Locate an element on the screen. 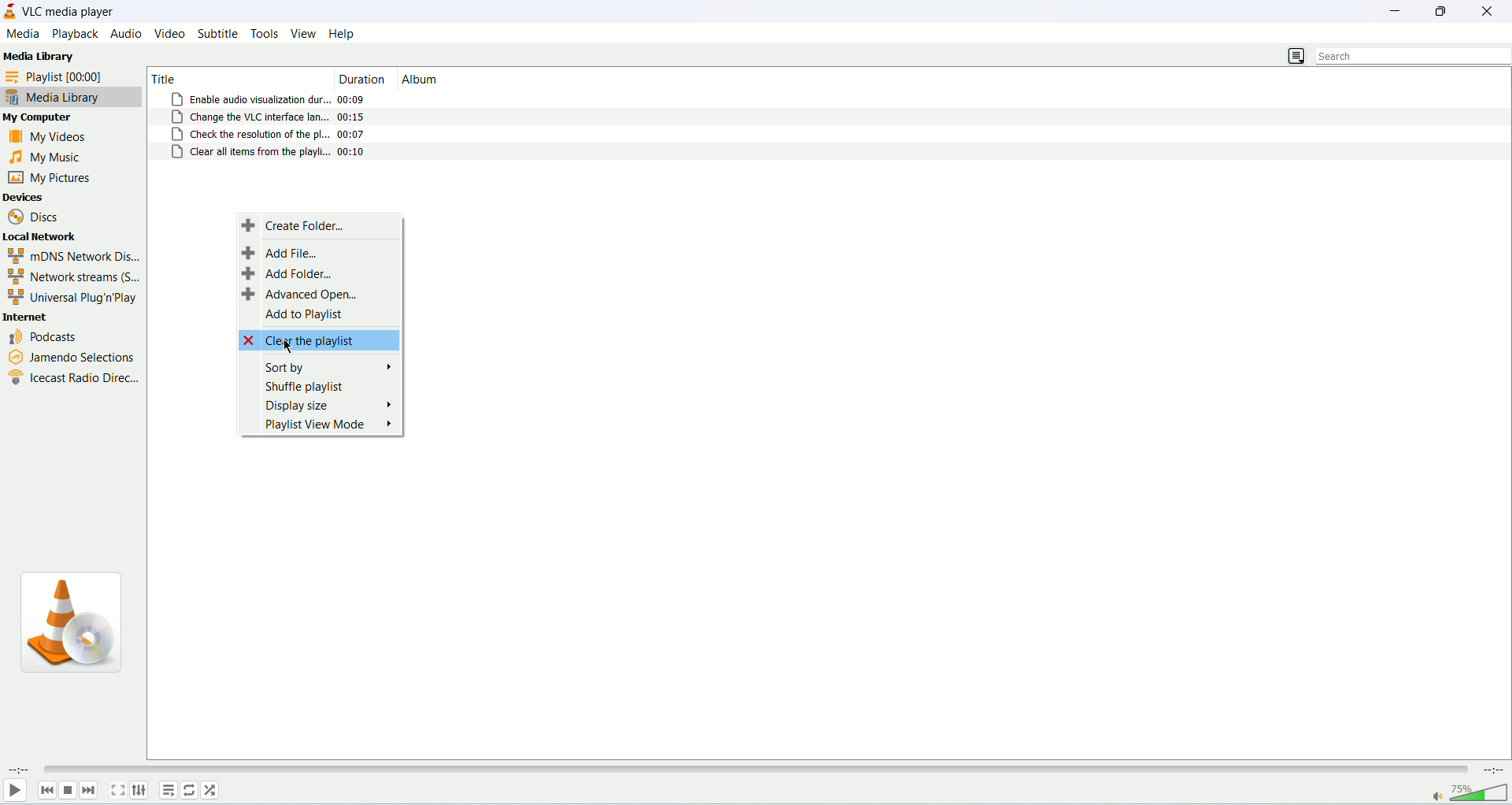  network streams is located at coordinates (75, 275).